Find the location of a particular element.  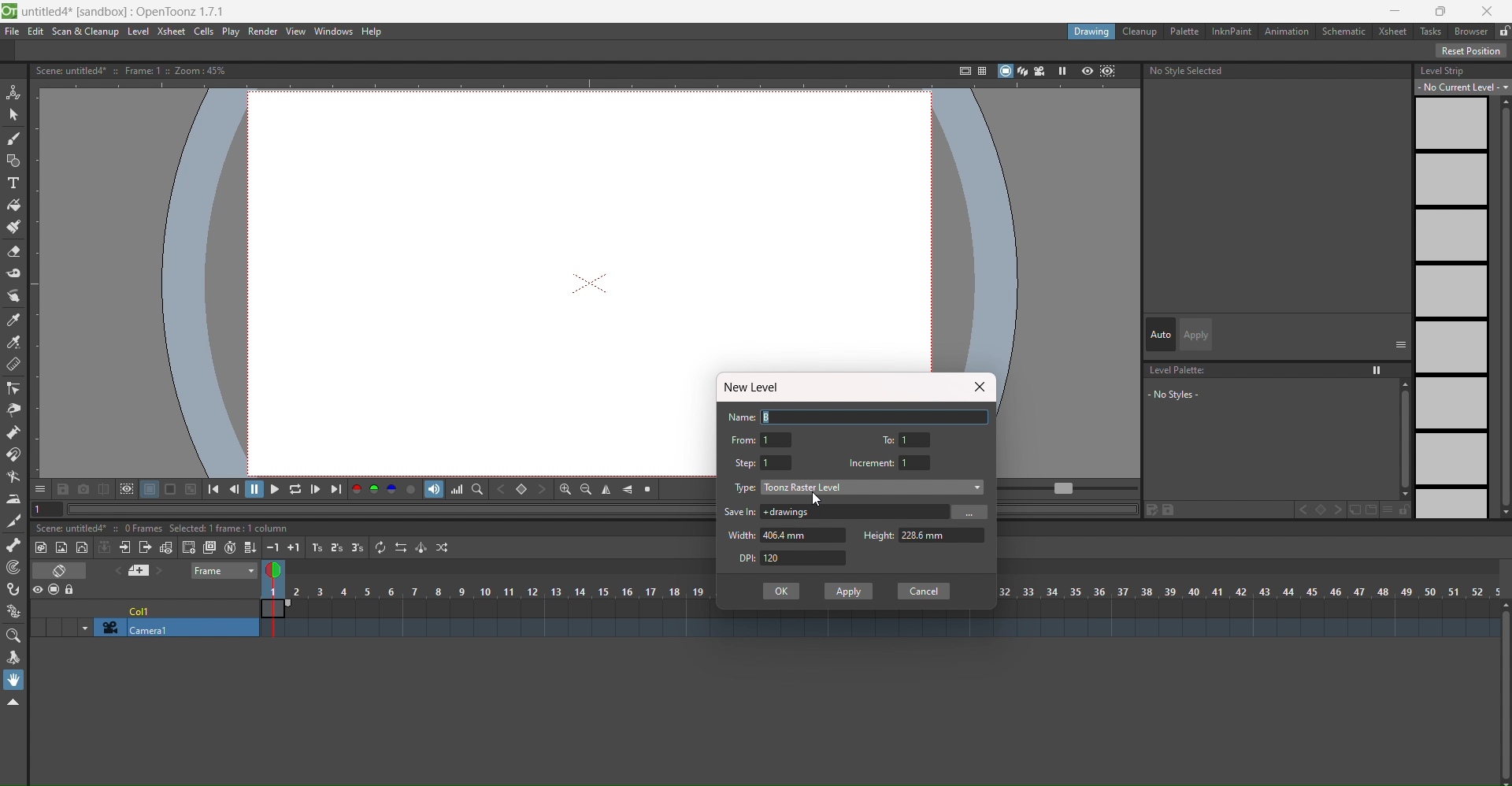

scan & cleanup is located at coordinates (83, 32).